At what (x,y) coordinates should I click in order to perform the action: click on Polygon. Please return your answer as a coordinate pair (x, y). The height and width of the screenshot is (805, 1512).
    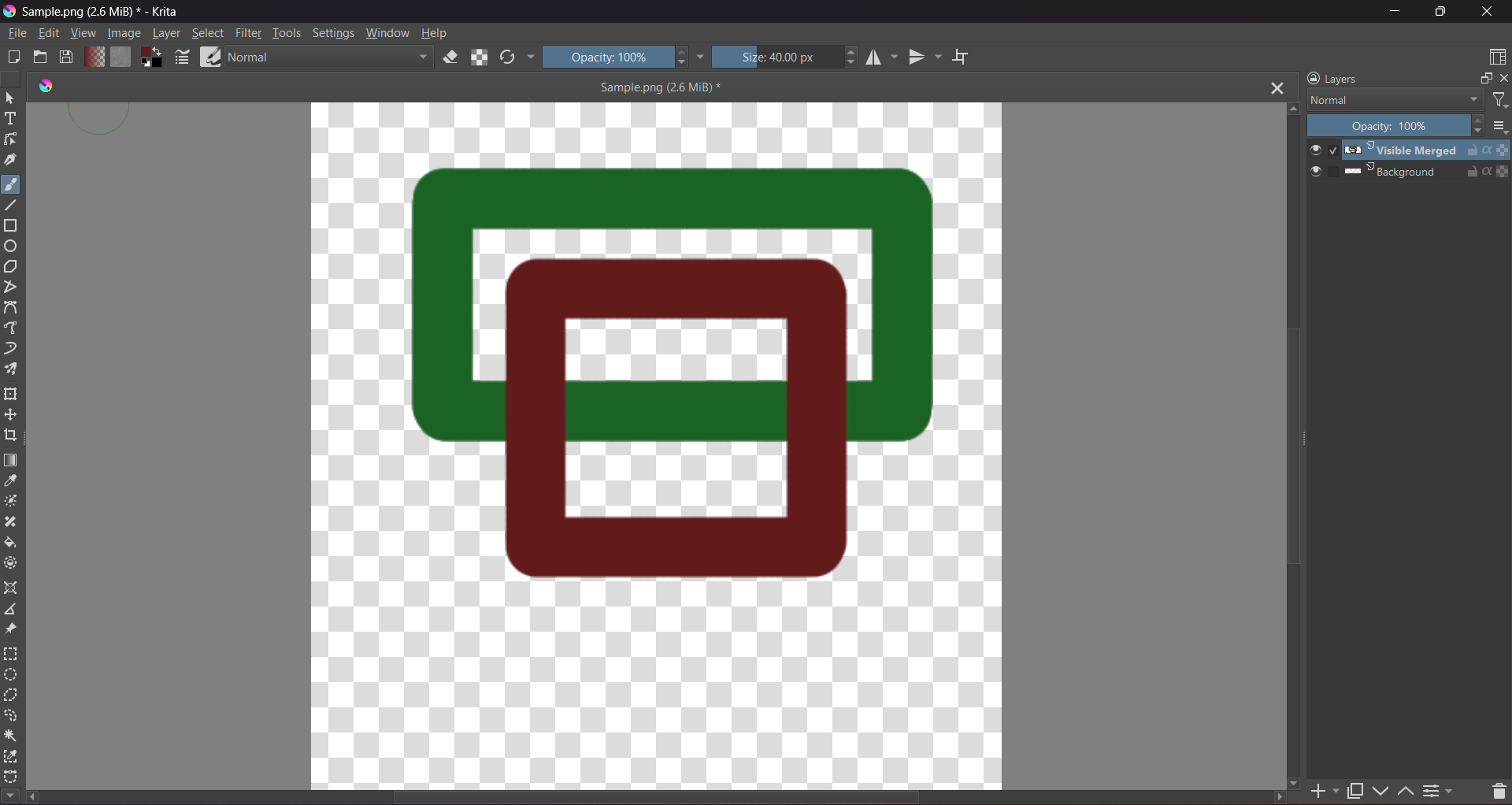
    Looking at the image, I should click on (16, 267).